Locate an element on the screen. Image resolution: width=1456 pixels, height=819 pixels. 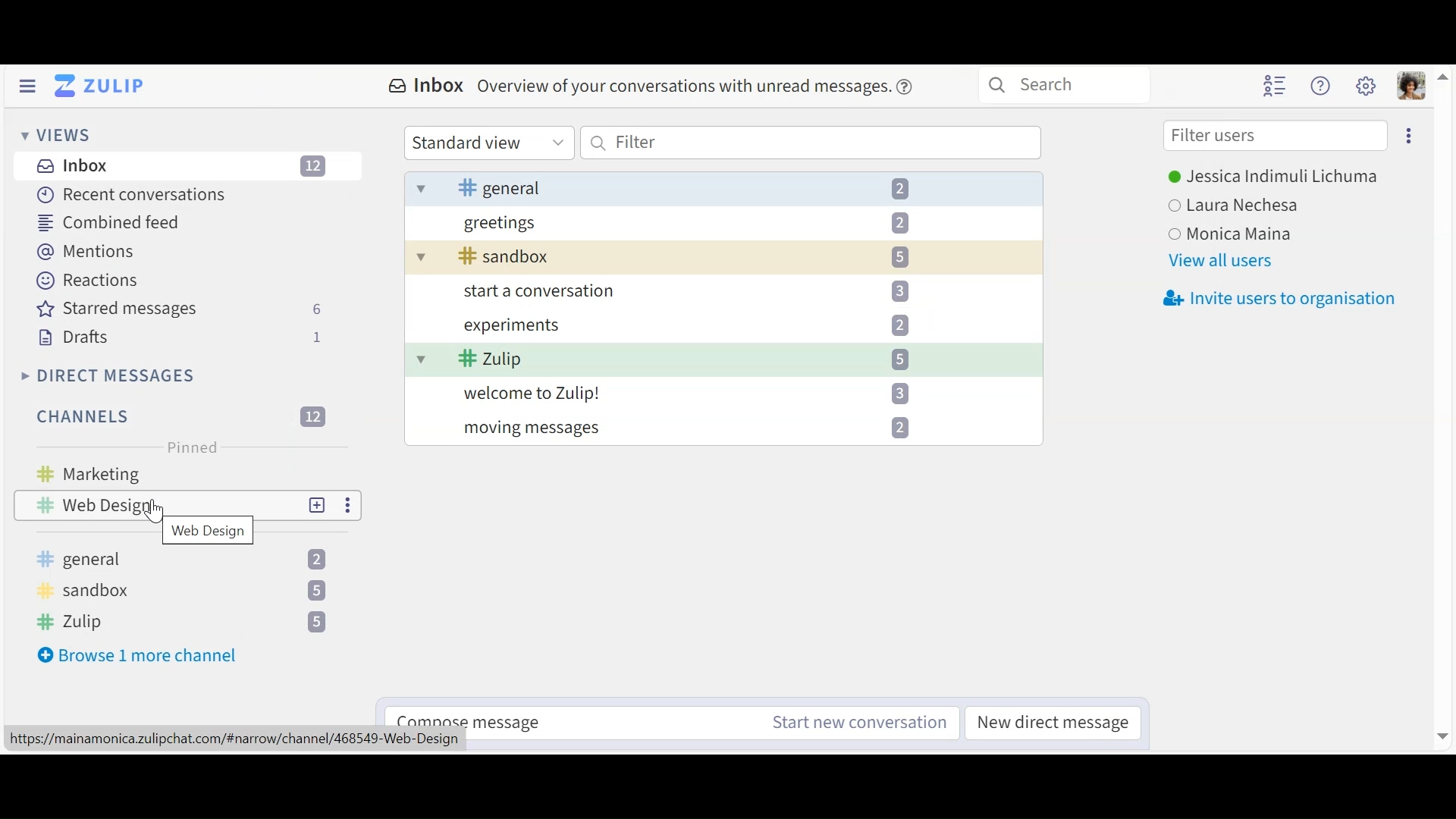
Compose is located at coordinates (428, 714).